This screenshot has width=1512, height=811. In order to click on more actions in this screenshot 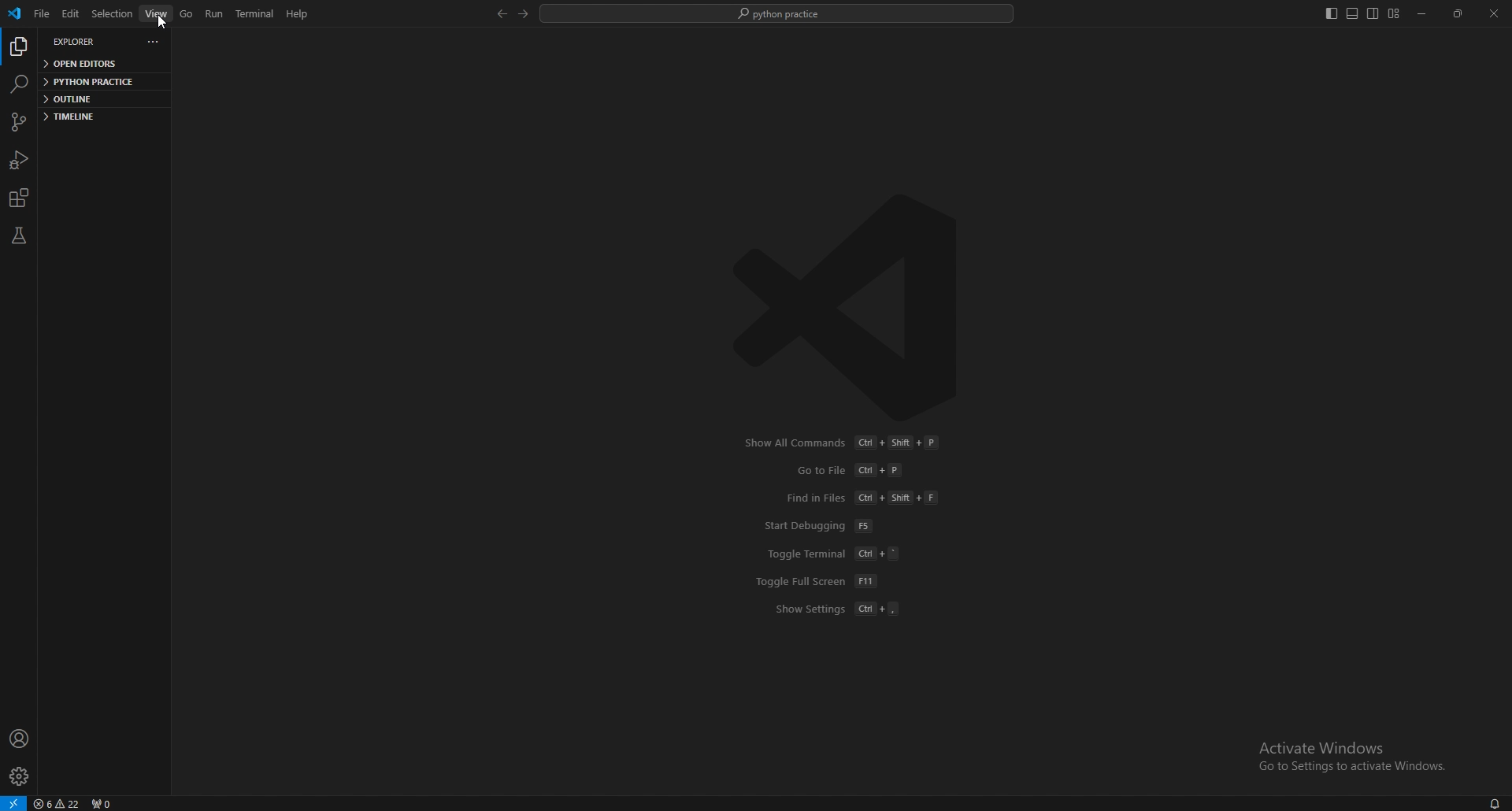, I will do `click(154, 41)`.